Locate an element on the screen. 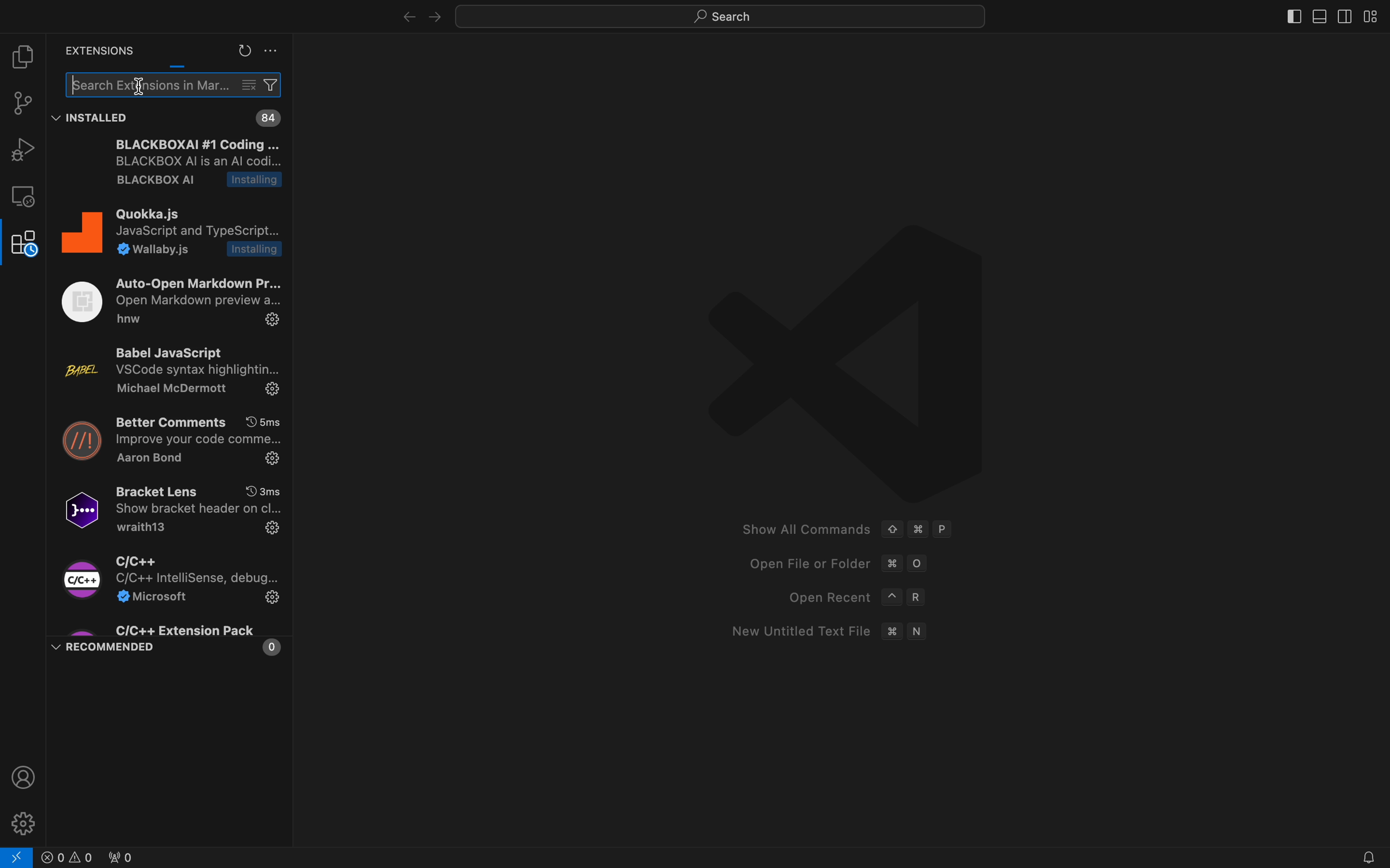  installed is located at coordinates (95, 118).